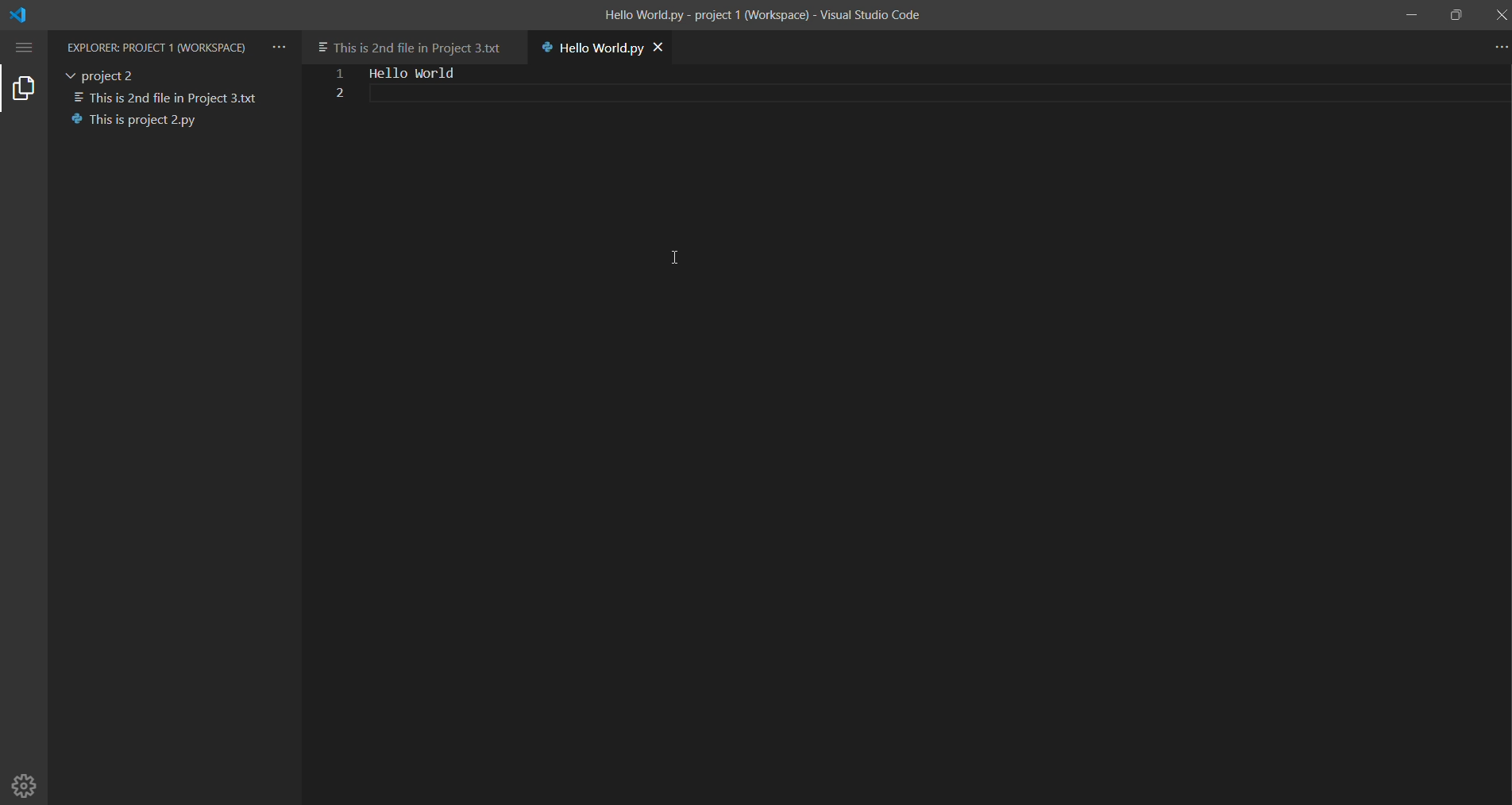 The image size is (1512, 805). I want to click on Hello World, so click(420, 71).